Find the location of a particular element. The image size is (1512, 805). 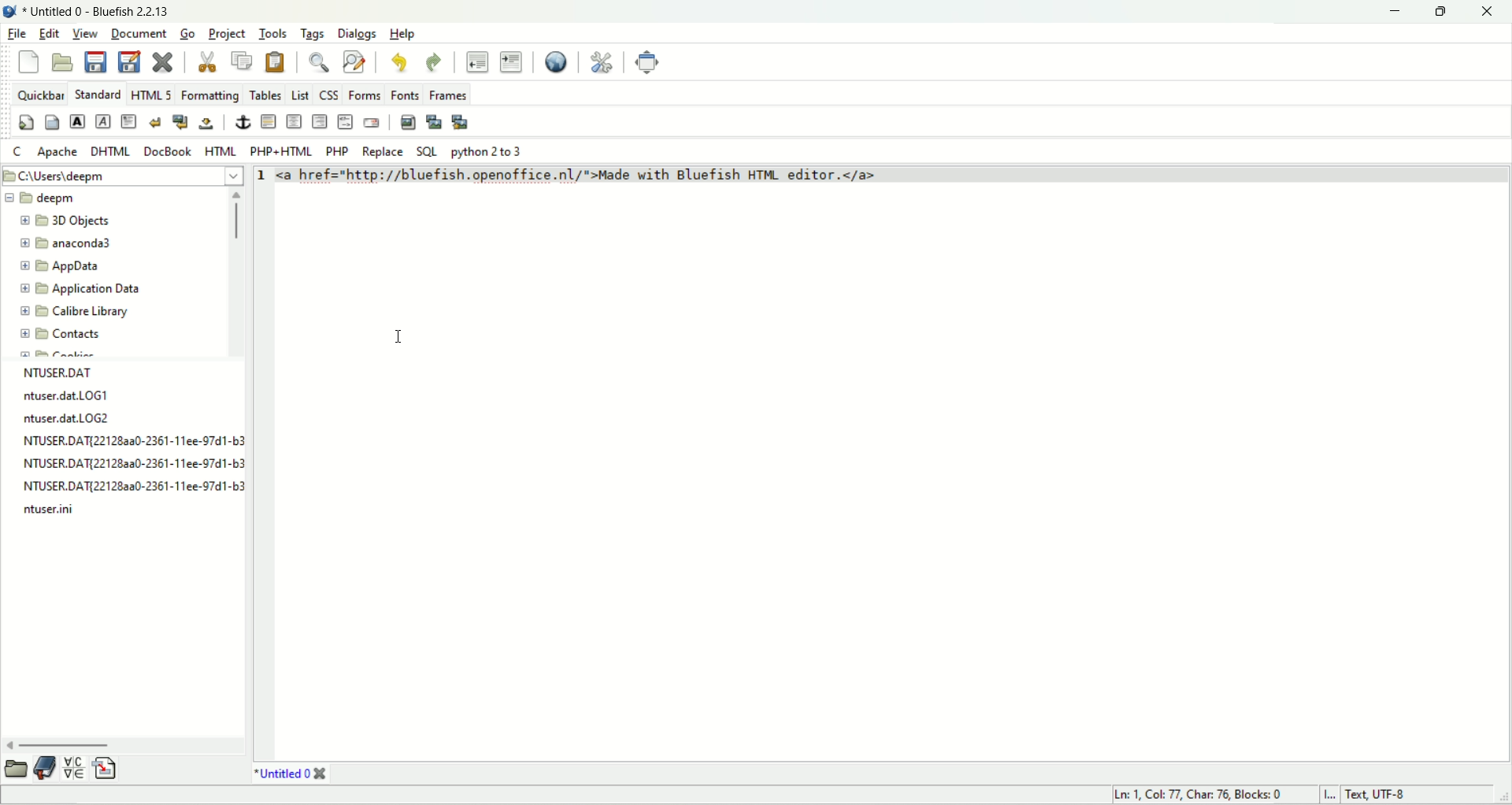

deepm is located at coordinates (41, 198).